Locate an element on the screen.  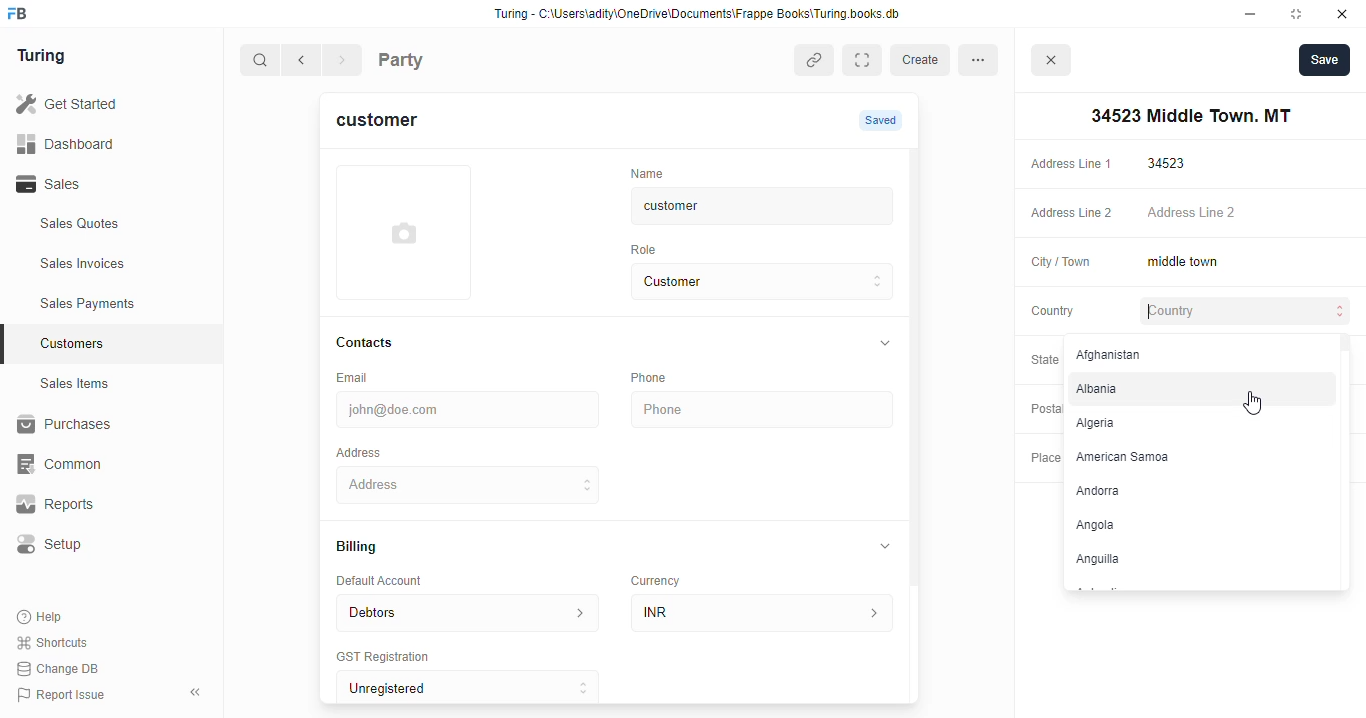
Anguilla is located at coordinates (1191, 559).